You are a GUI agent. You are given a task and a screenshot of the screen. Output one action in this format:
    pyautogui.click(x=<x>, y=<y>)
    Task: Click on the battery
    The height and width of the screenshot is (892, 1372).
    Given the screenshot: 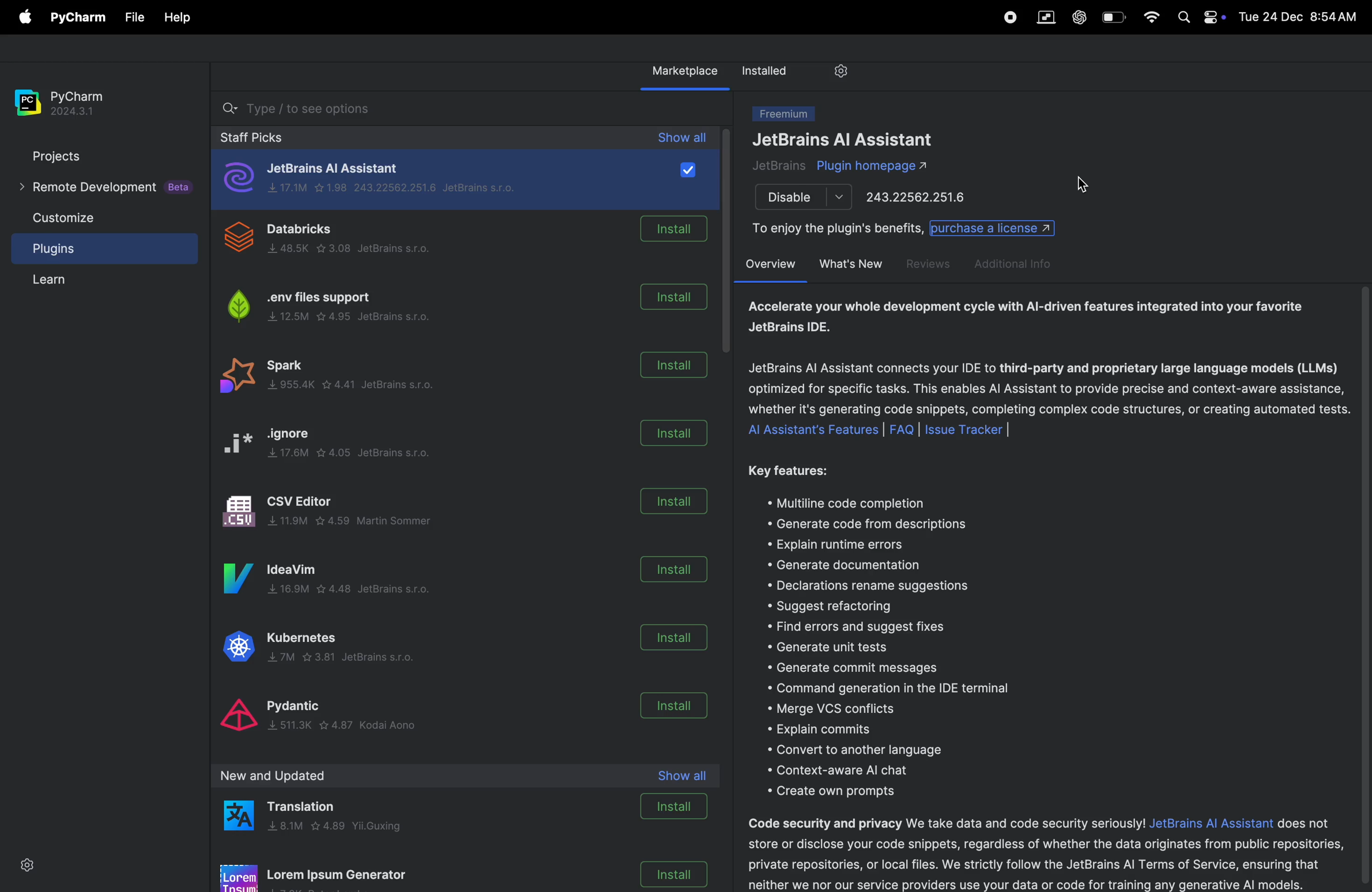 What is the action you would take?
    pyautogui.click(x=1109, y=16)
    